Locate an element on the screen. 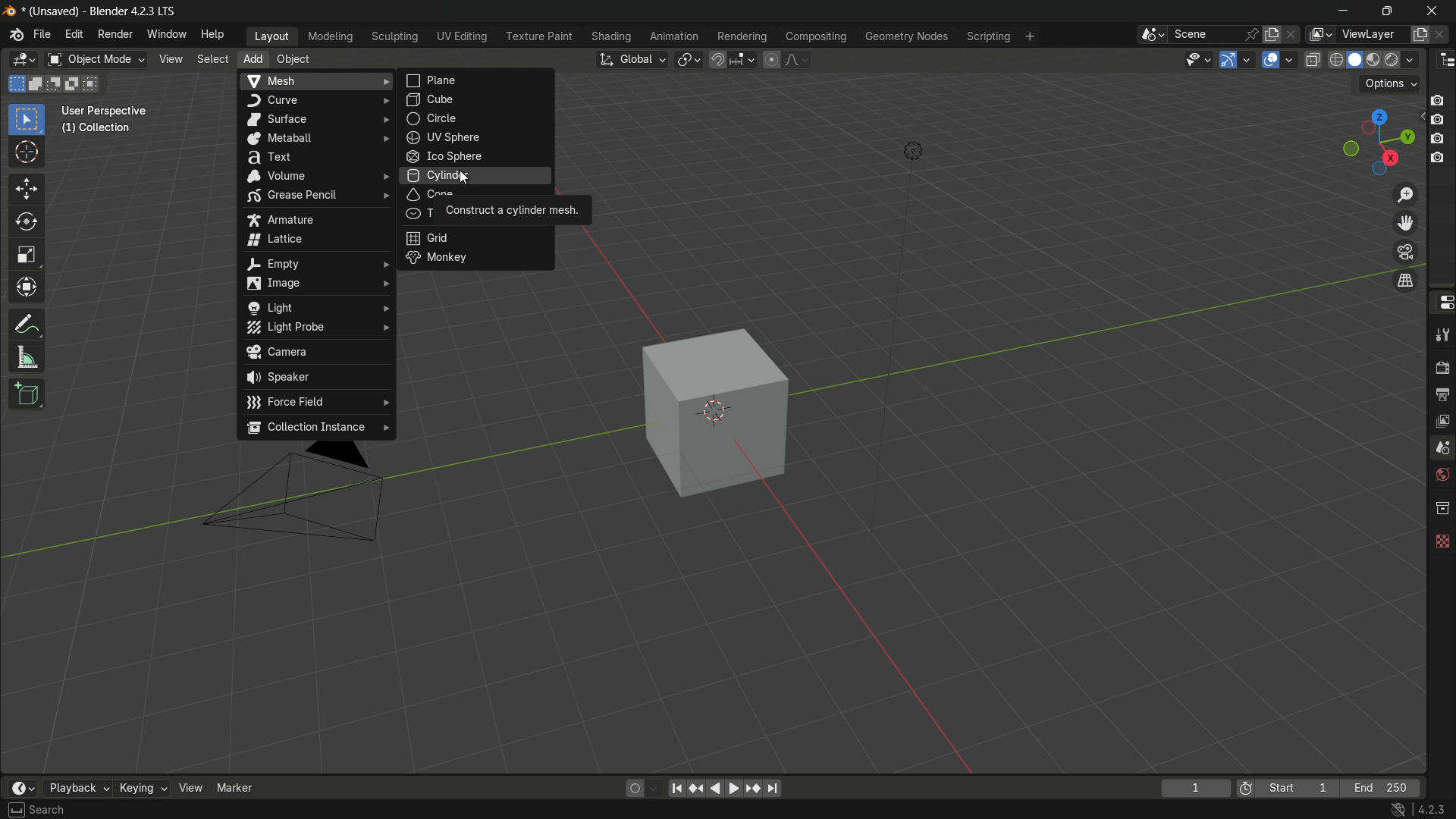  object mode is located at coordinates (95, 59).